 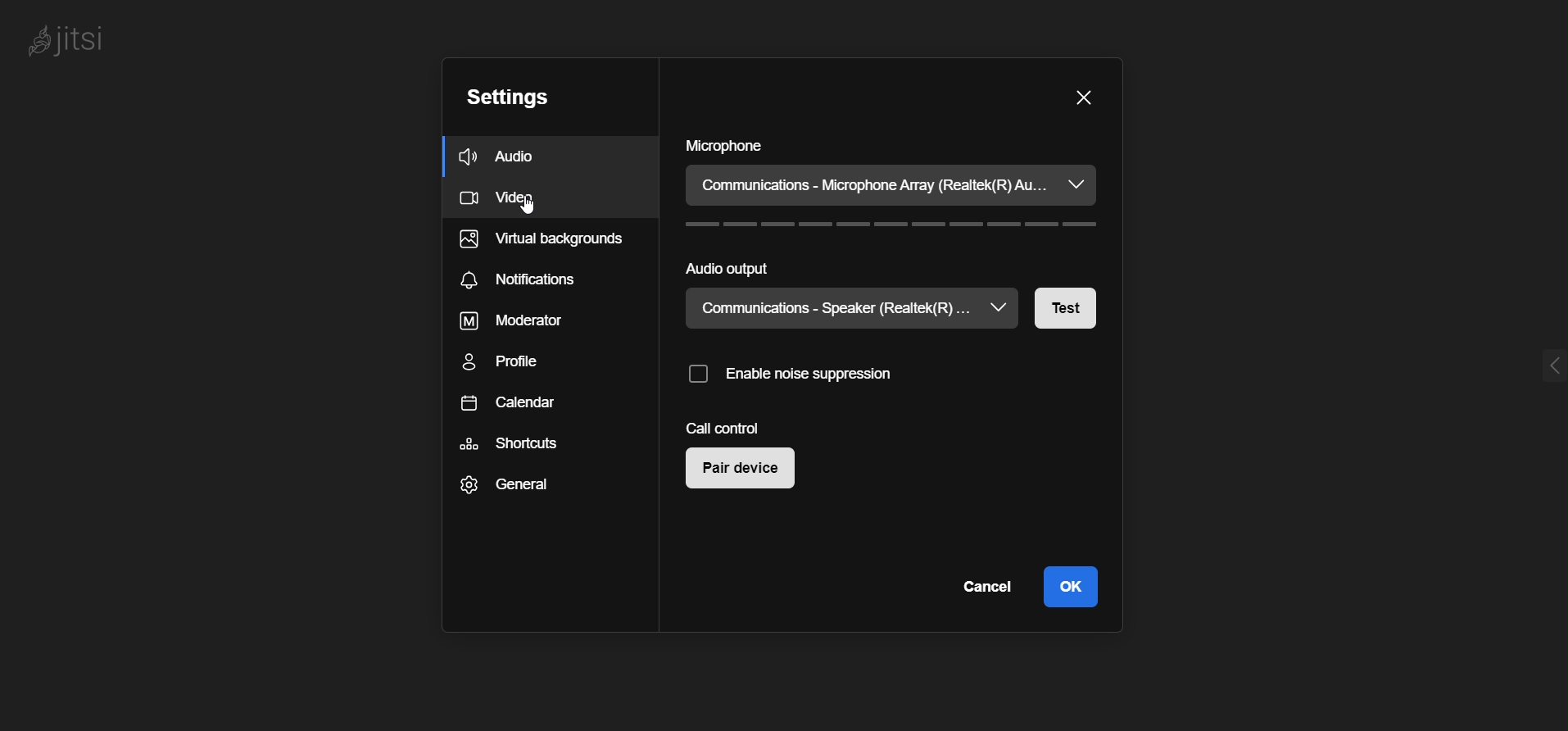 I want to click on shortcuts, so click(x=510, y=444).